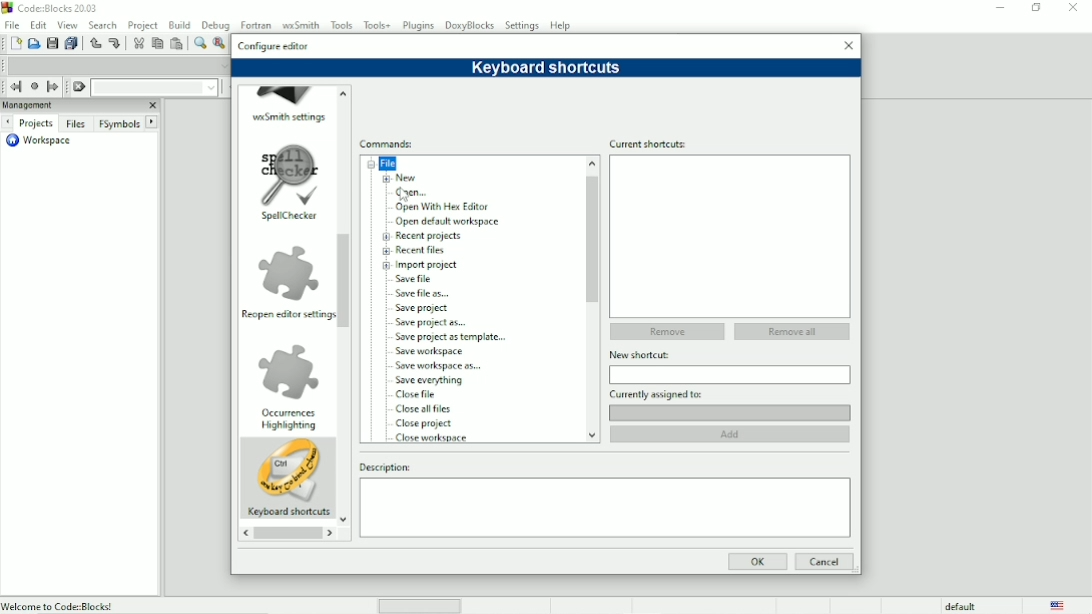 The height and width of the screenshot is (614, 1092). What do you see at coordinates (38, 25) in the screenshot?
I see `Edit` at bounding box center [38, 25].